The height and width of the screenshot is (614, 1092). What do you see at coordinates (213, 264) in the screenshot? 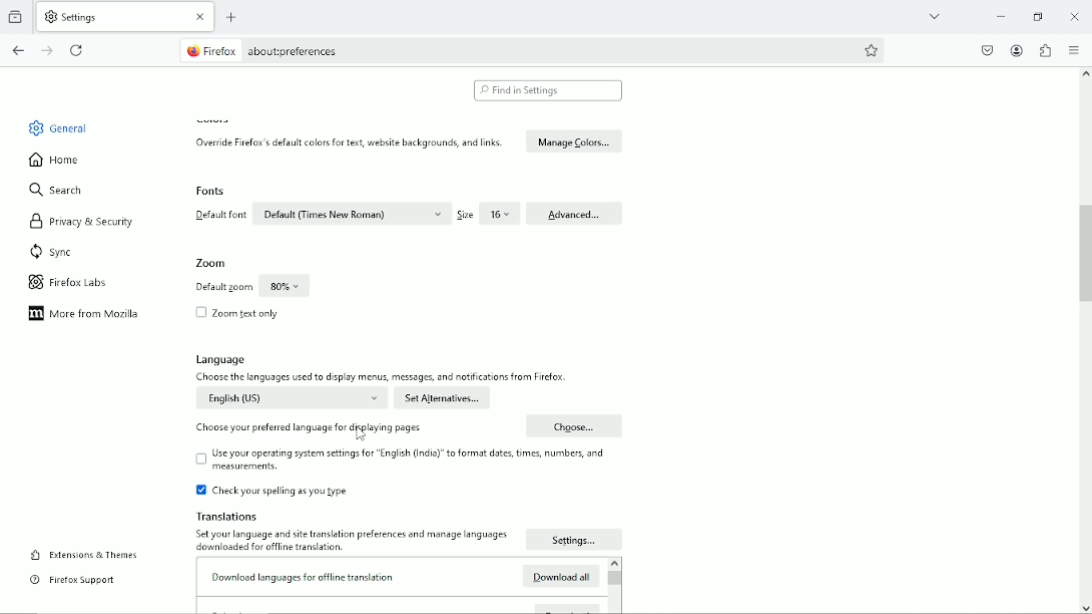
I see `Zoom` at bounding box center [213, 264].